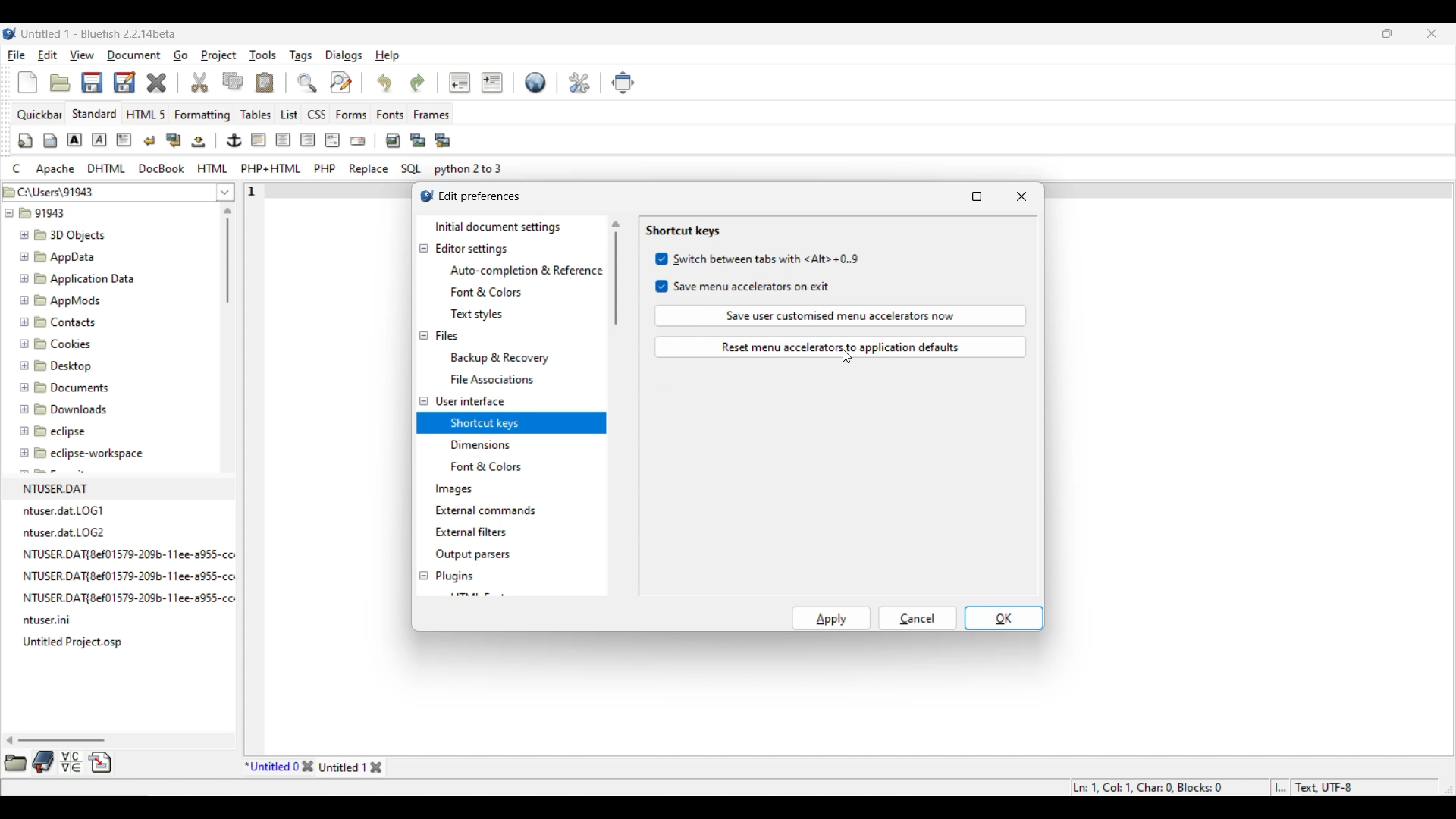 The width and height of the screenshot is (1456, 819). I want to click on Window title, so click(480, 196).